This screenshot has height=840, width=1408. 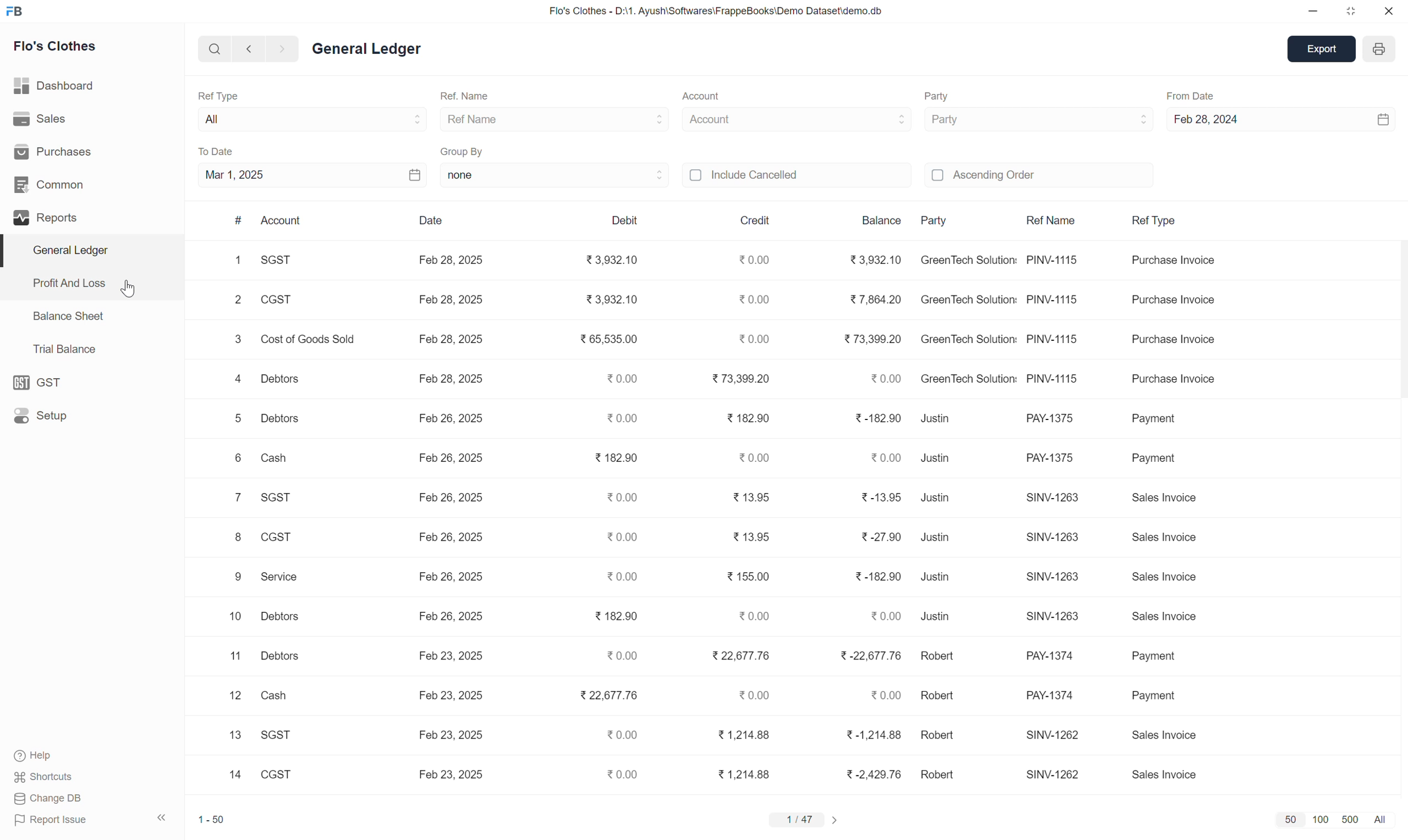 I want to click on Purchase Invoice, so click(x=1171, y=383).